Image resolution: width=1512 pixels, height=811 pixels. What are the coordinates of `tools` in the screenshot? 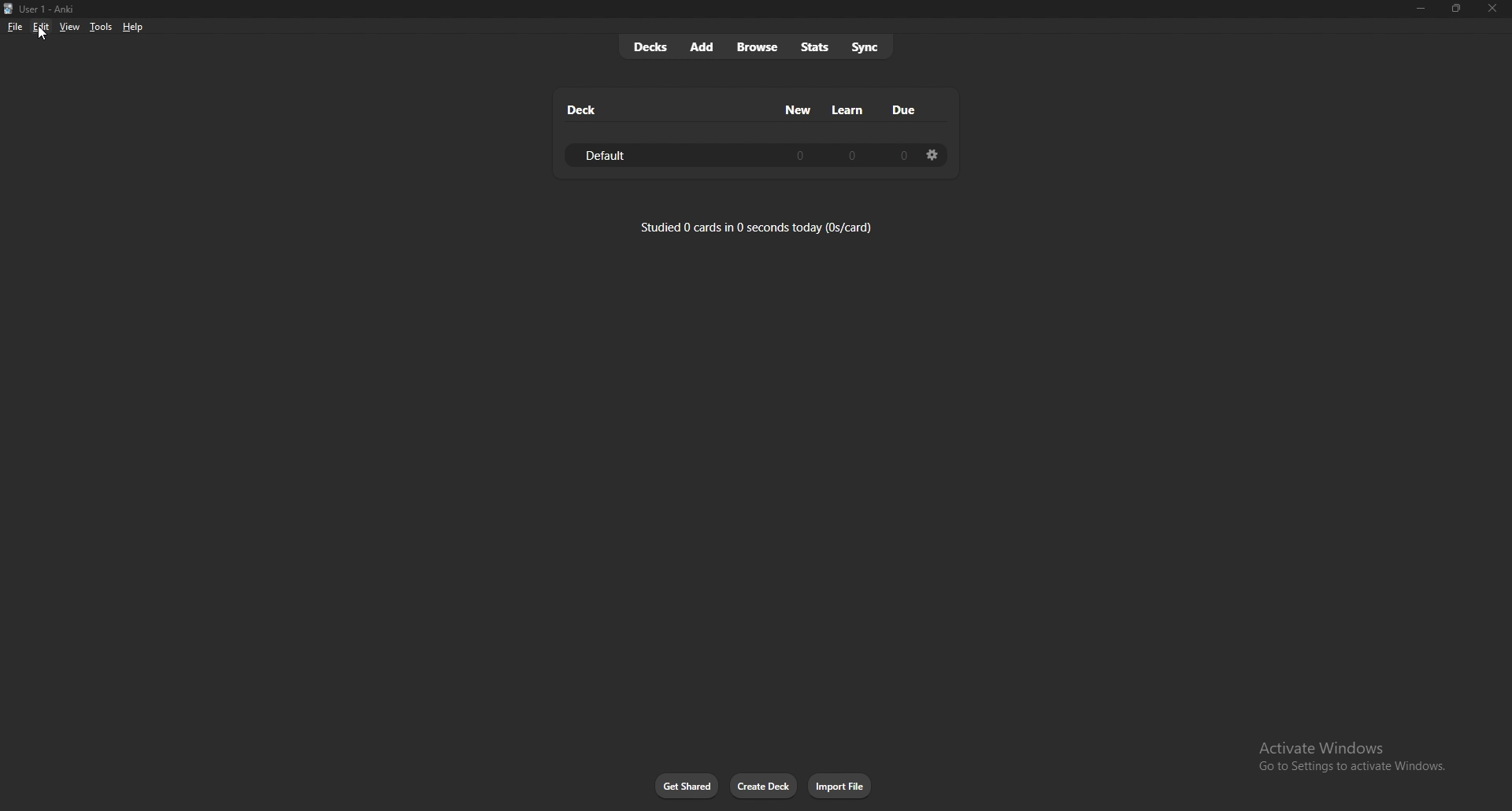 It's located at (100, 27).